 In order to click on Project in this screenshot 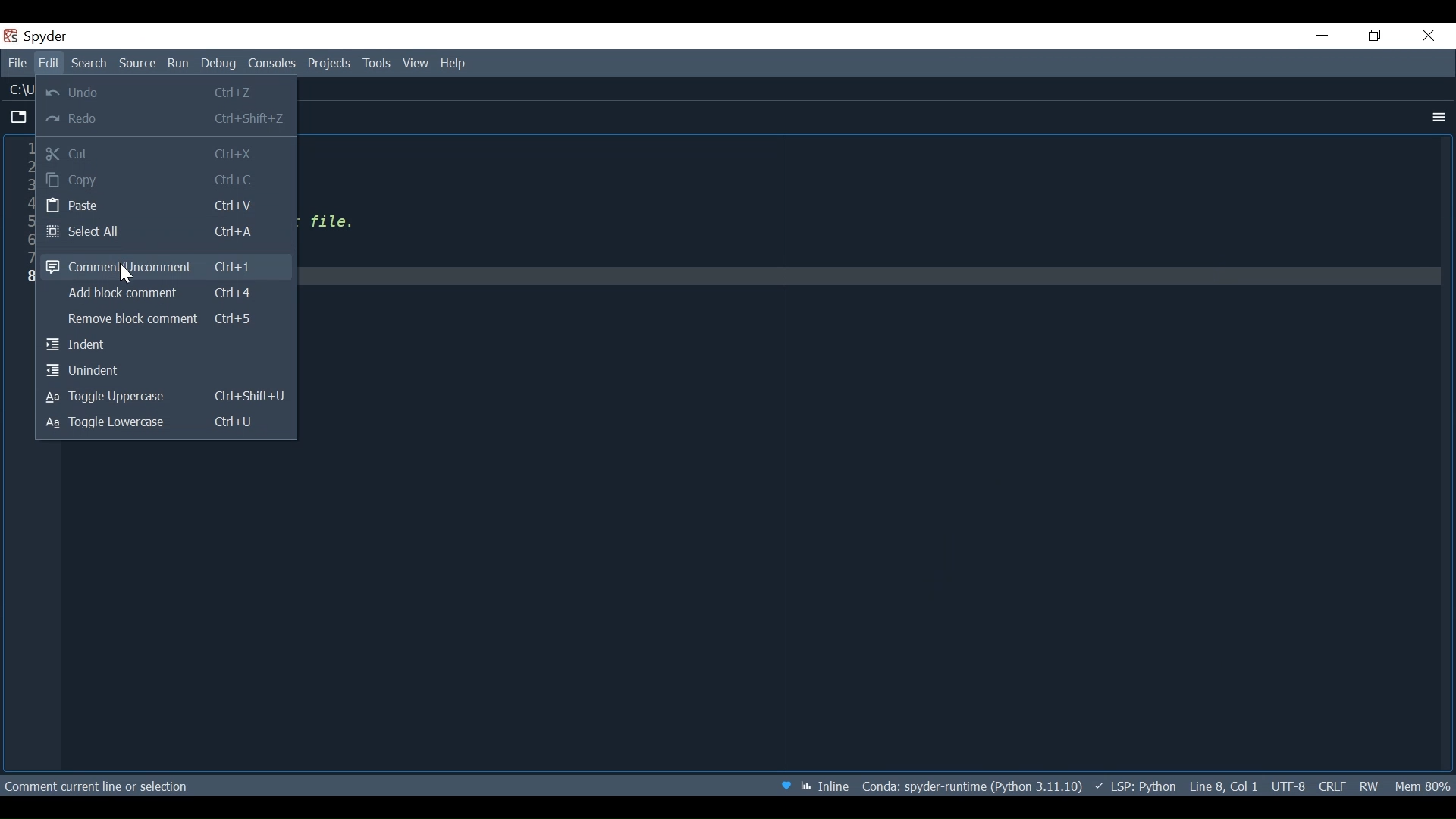, I will do `click(330, 64)`.